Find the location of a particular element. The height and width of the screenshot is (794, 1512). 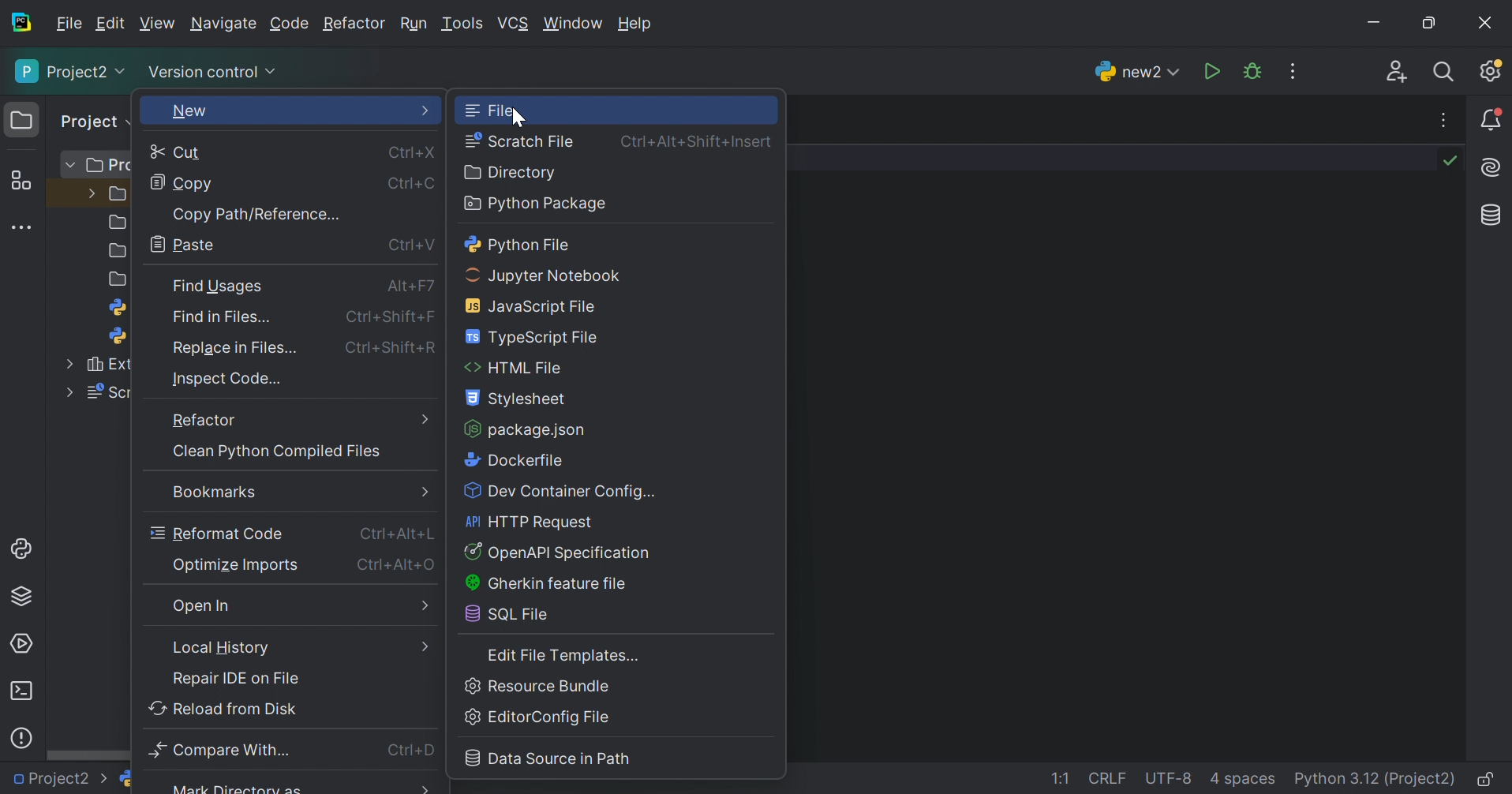

Data source in path is located at coordinates (549, 758).